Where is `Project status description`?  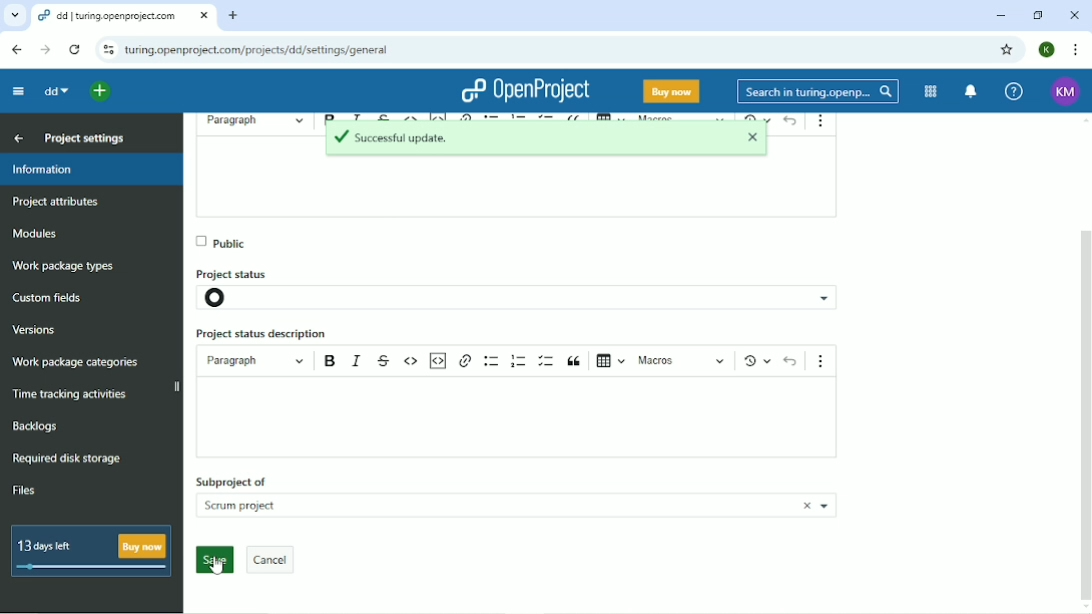
Project status description is located at coordinates (259, 333).